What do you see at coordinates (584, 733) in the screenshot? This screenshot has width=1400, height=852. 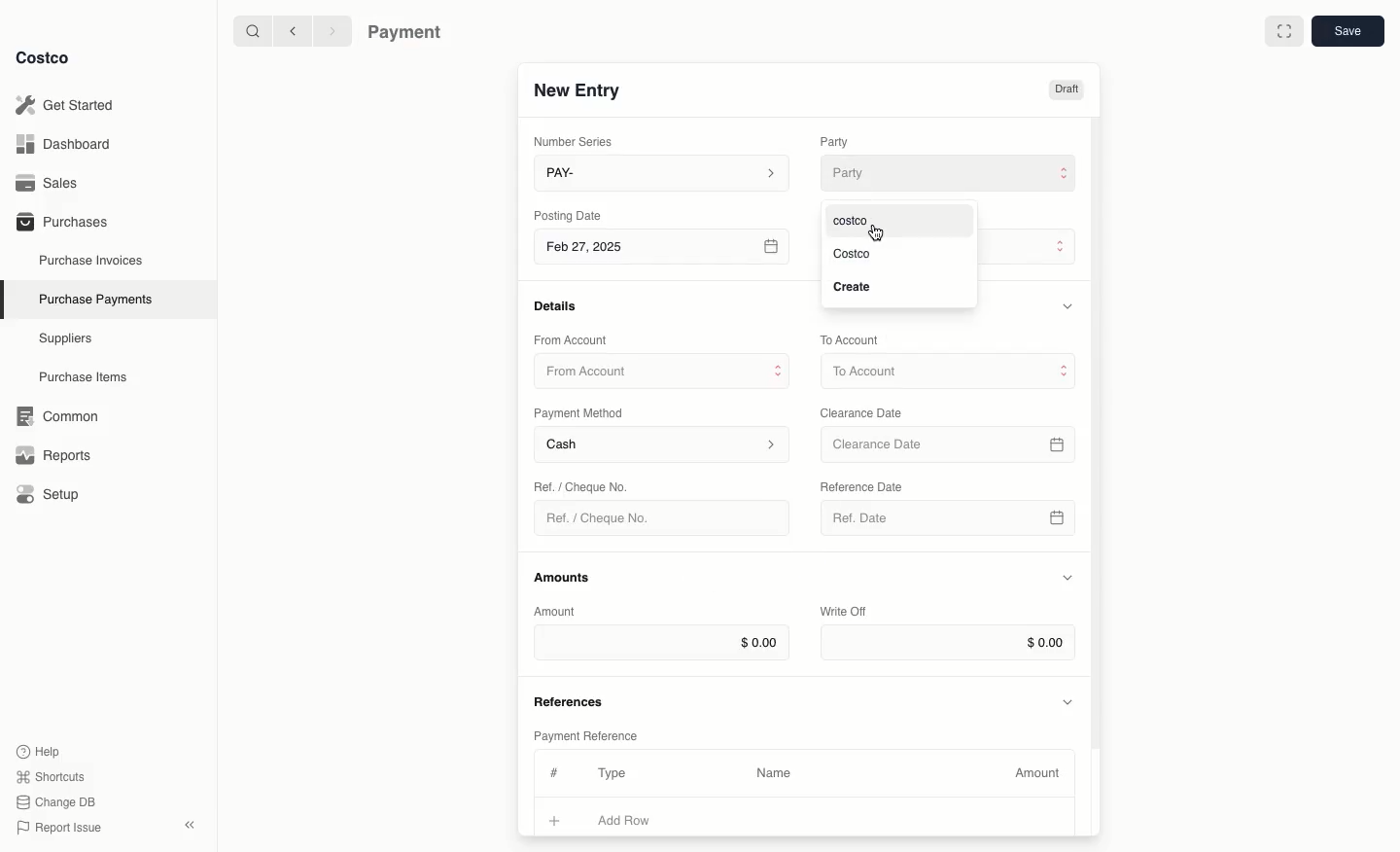 I see `Payment Reference` at bounding box center [584, 733].